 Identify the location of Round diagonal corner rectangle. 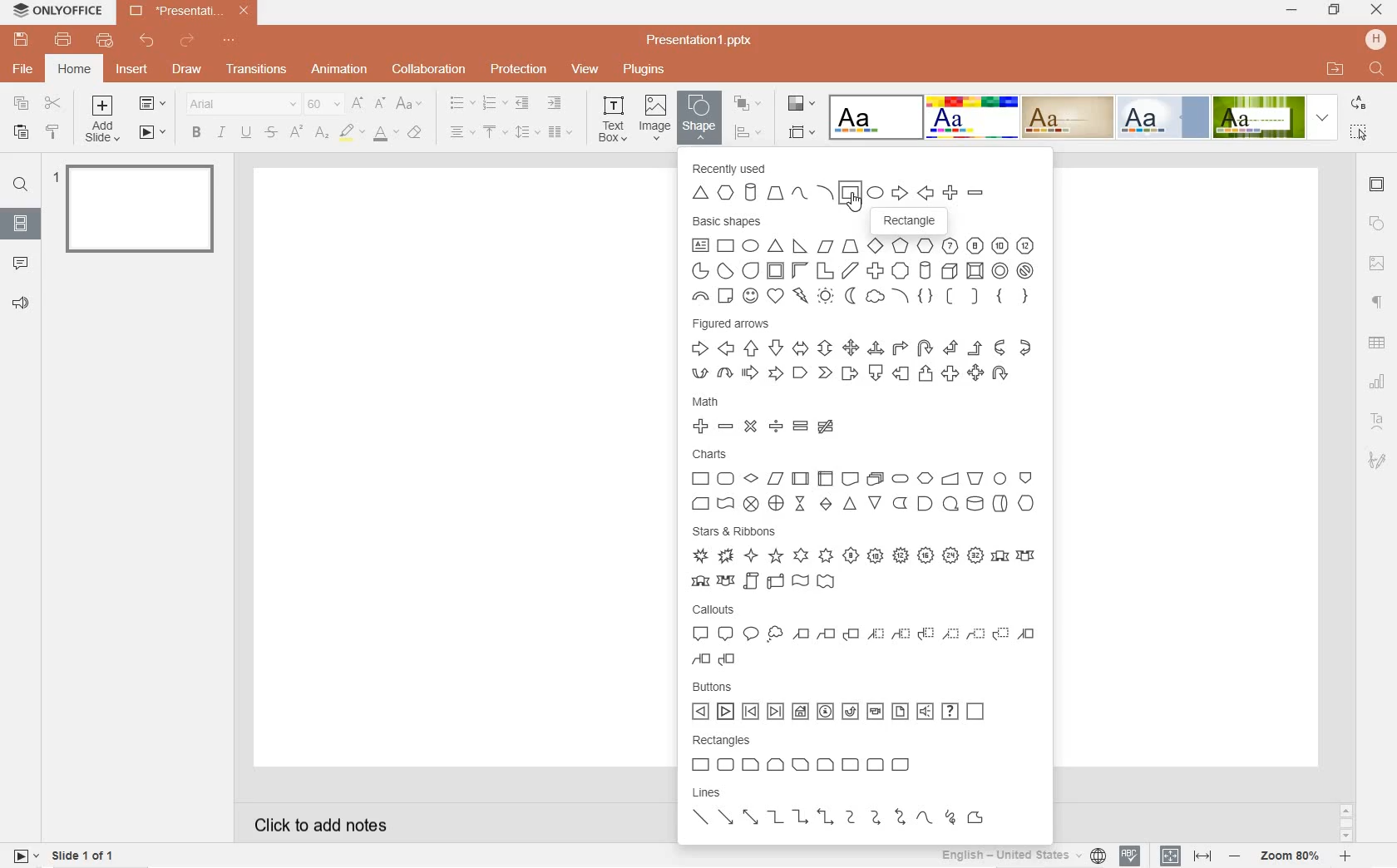
(900, 765).